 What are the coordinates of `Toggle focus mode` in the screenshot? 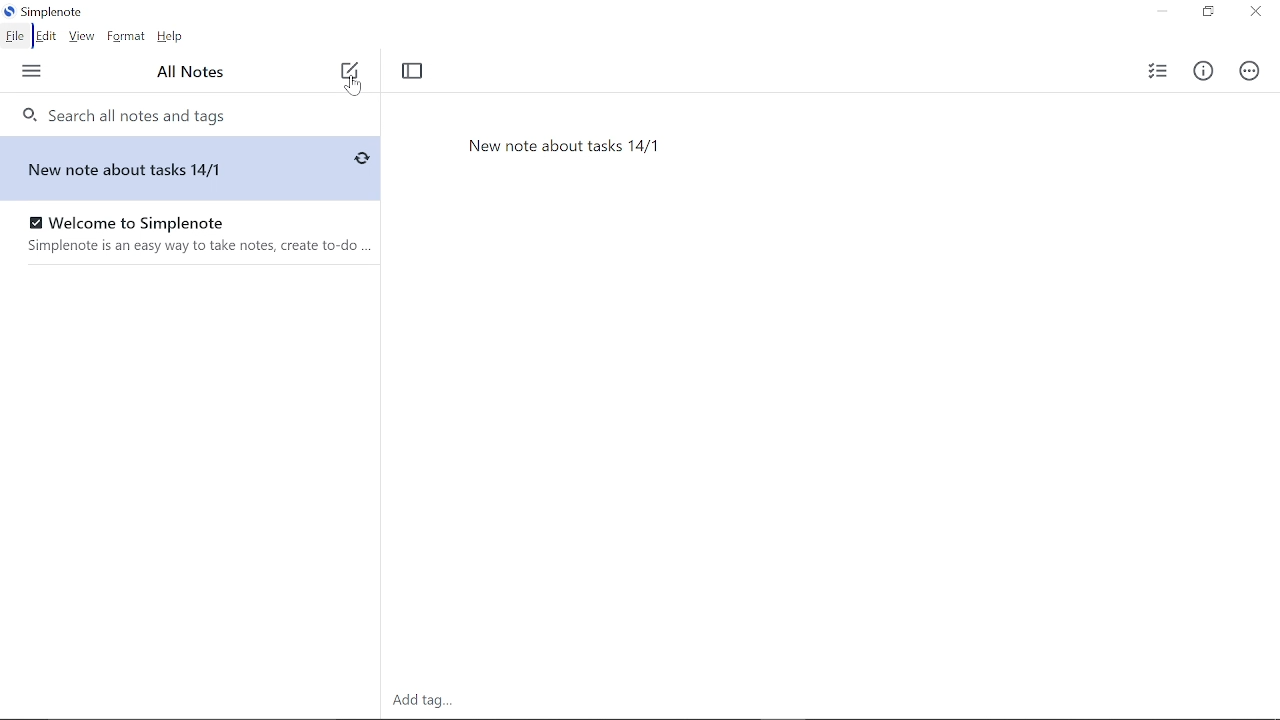 It's located at (414, 72).